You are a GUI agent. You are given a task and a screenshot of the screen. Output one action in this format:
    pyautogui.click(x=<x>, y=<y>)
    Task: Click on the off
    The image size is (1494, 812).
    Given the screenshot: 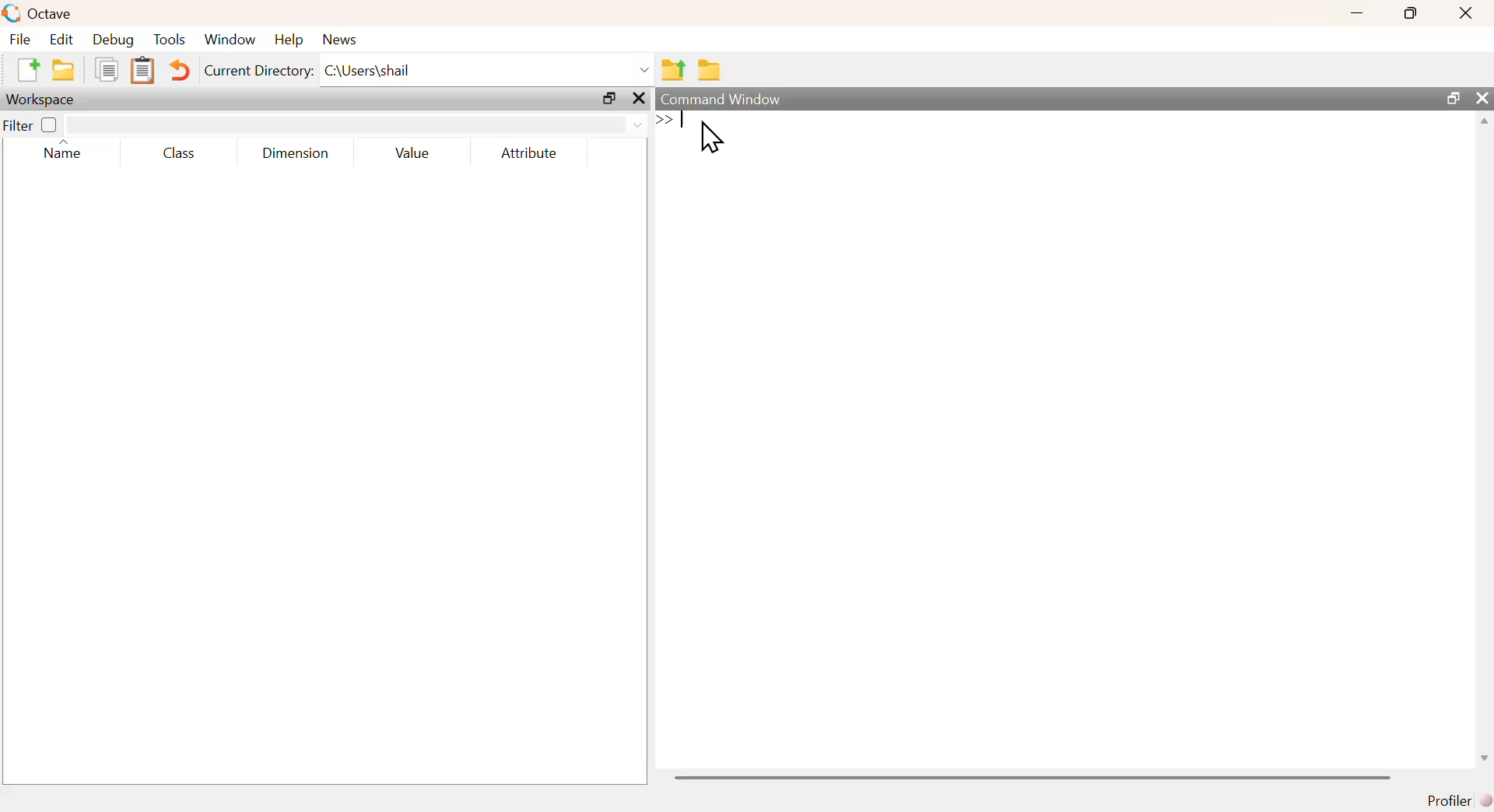 What is the action you would take?
    pyautogui.click(x=49, y=125)
    